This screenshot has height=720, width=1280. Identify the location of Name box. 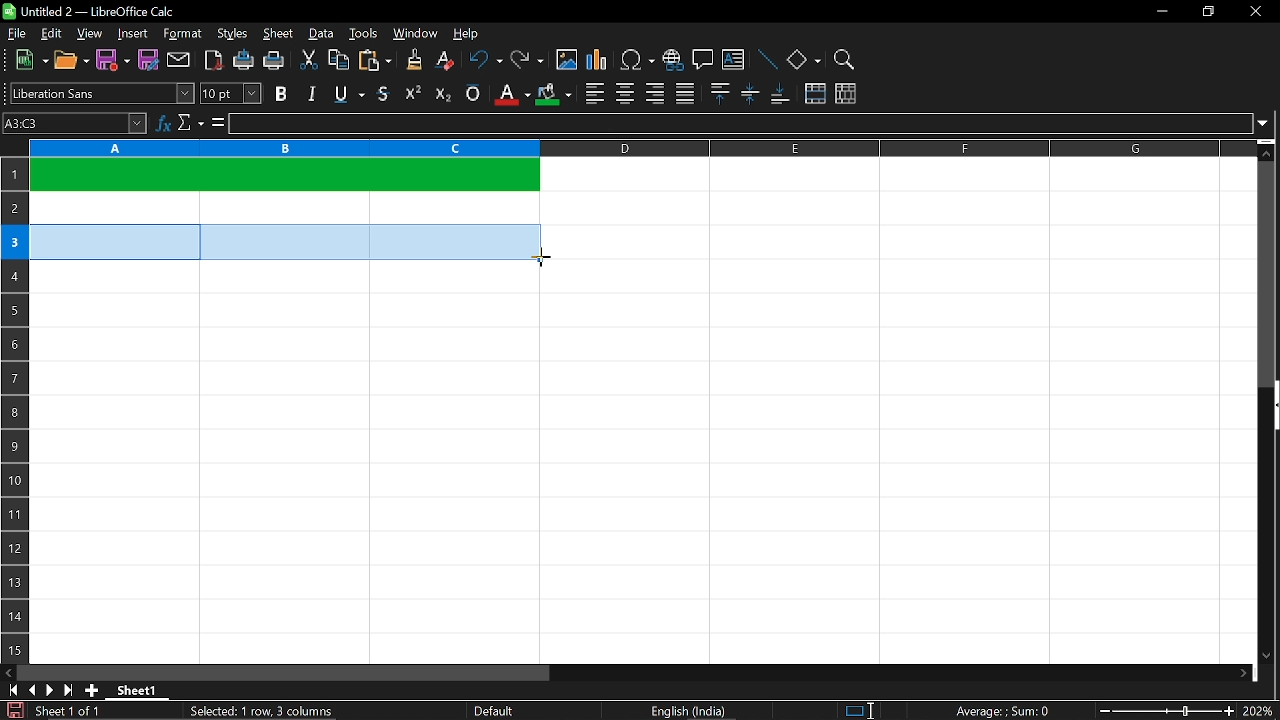
(75, 124).